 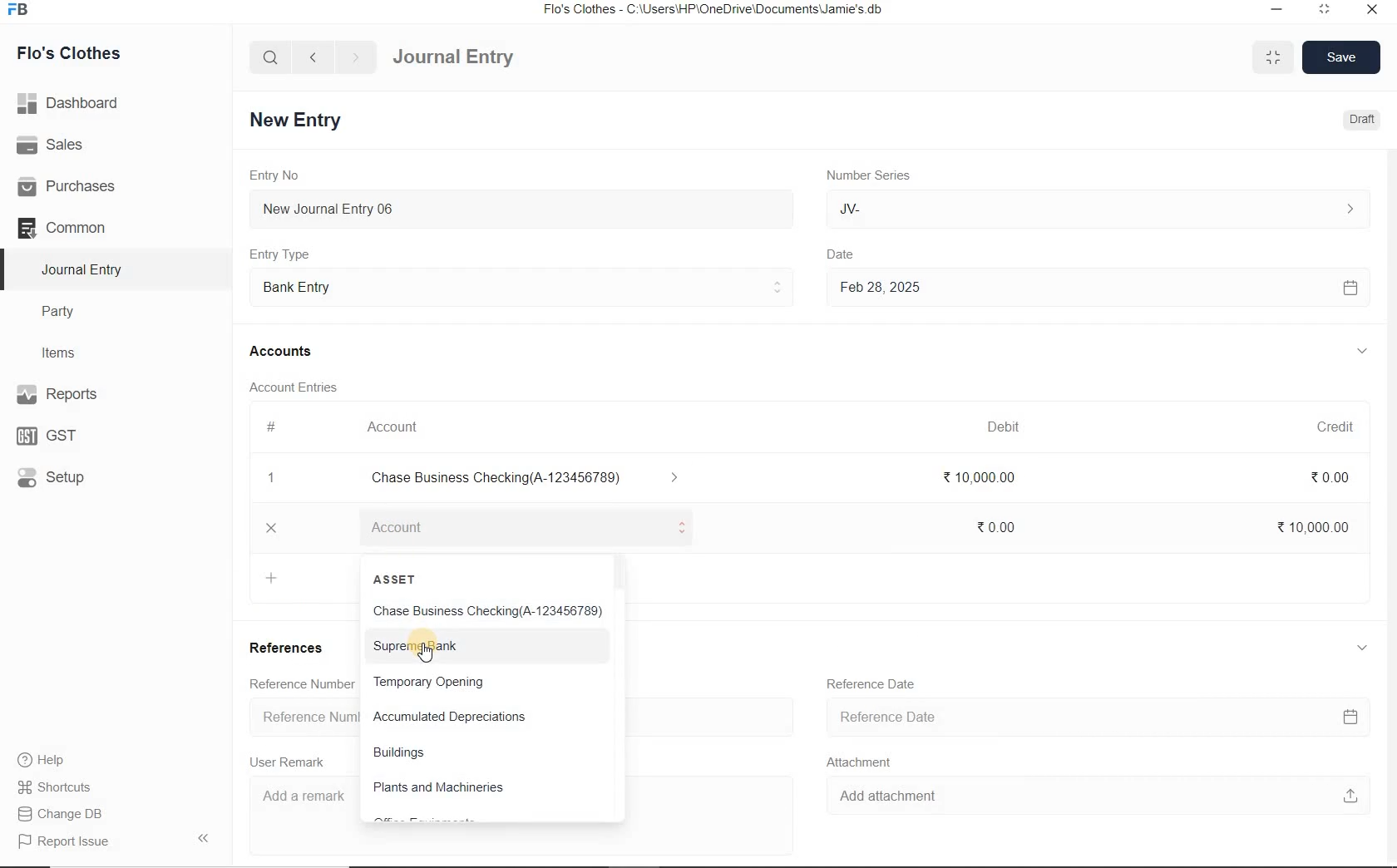 What do you see at coordinates (524, 207) in the screenshot?
I see `New Journal Entry 06` at bounding box center [524, 207].